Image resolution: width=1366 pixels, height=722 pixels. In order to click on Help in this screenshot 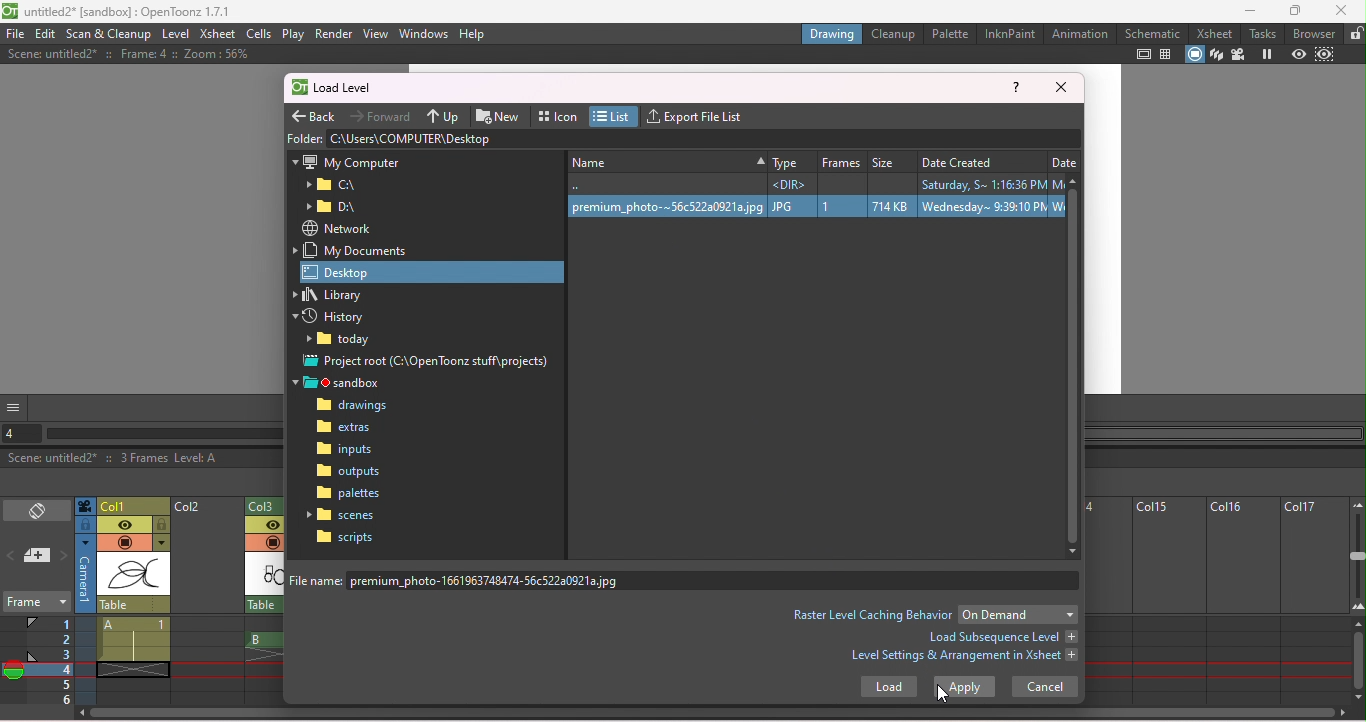, I will do `click(473, 33)`.